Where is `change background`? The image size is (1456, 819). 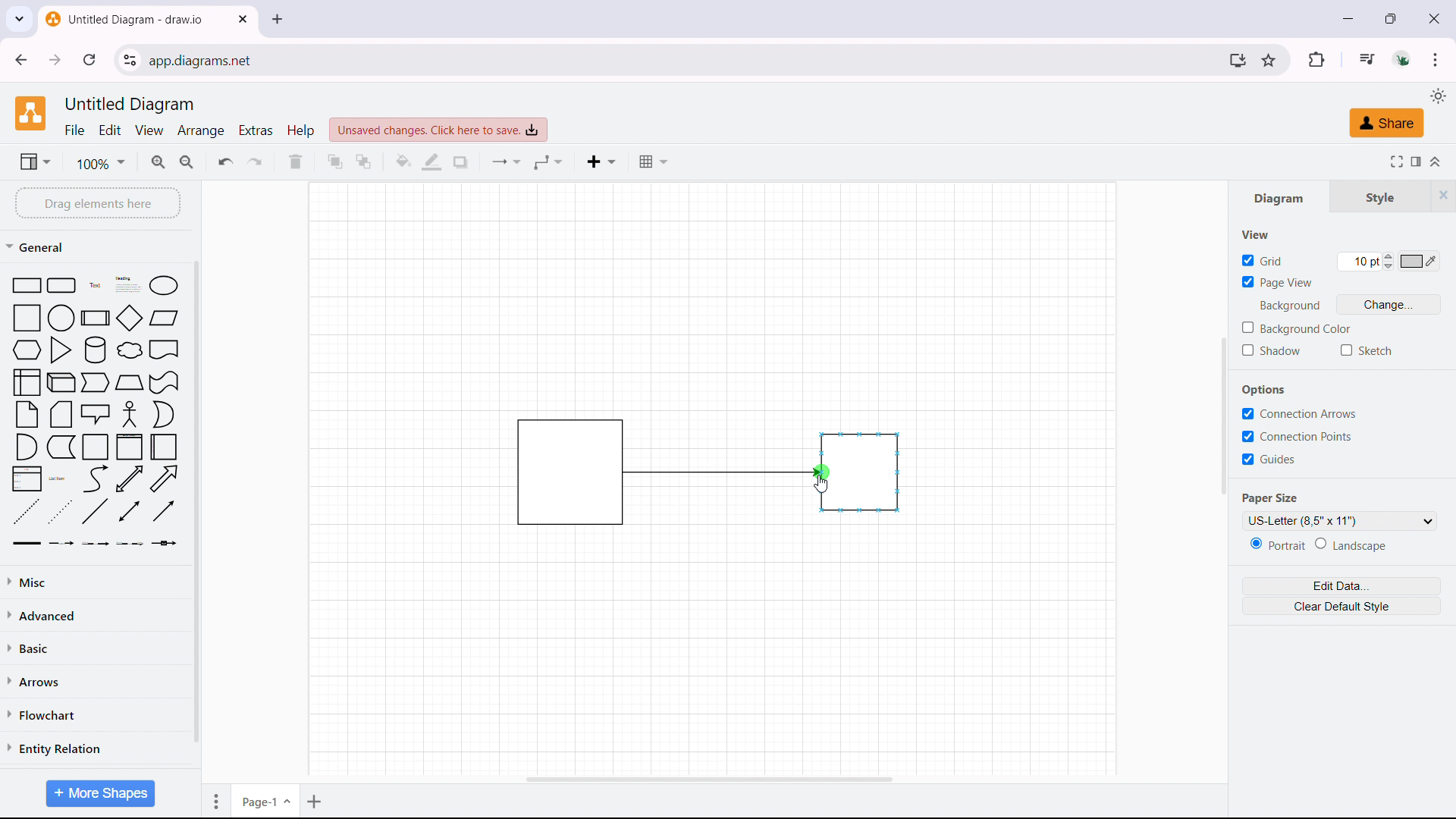
change background is located at coordinates (1390, 303).